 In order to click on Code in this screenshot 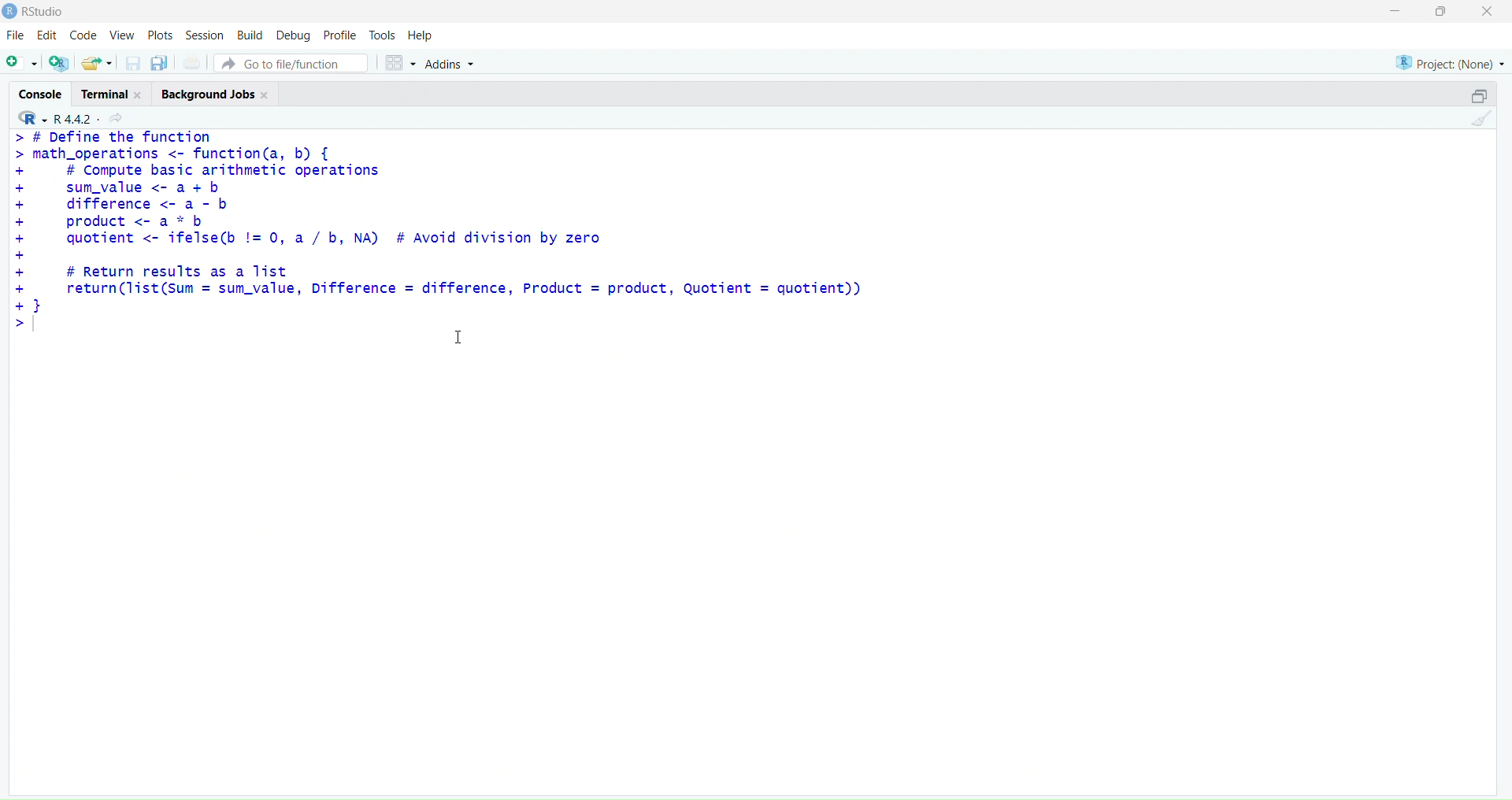, I will do `click(81, 37)`.